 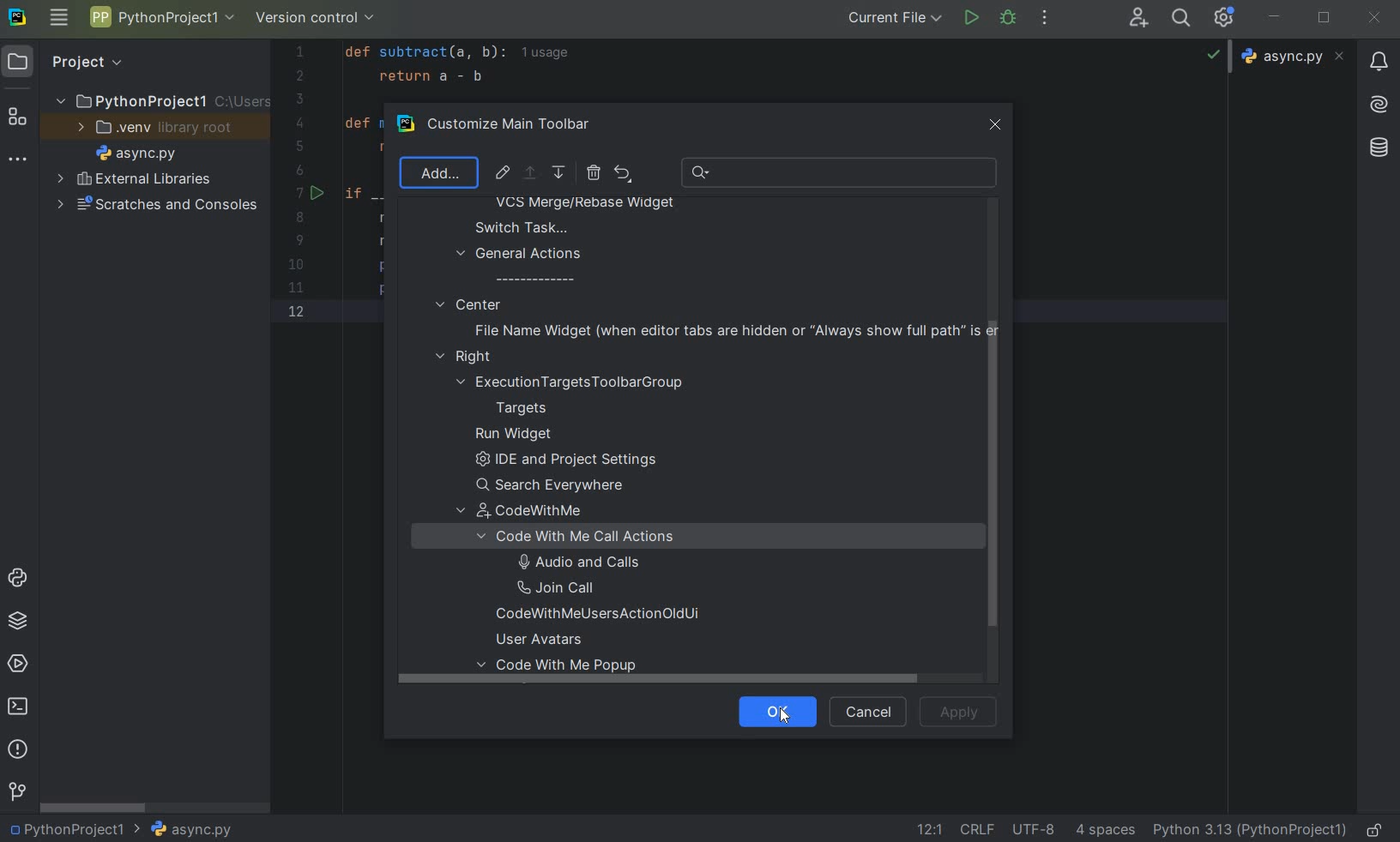 I want to click on STRUCTURE, so click(x=19, y=119).